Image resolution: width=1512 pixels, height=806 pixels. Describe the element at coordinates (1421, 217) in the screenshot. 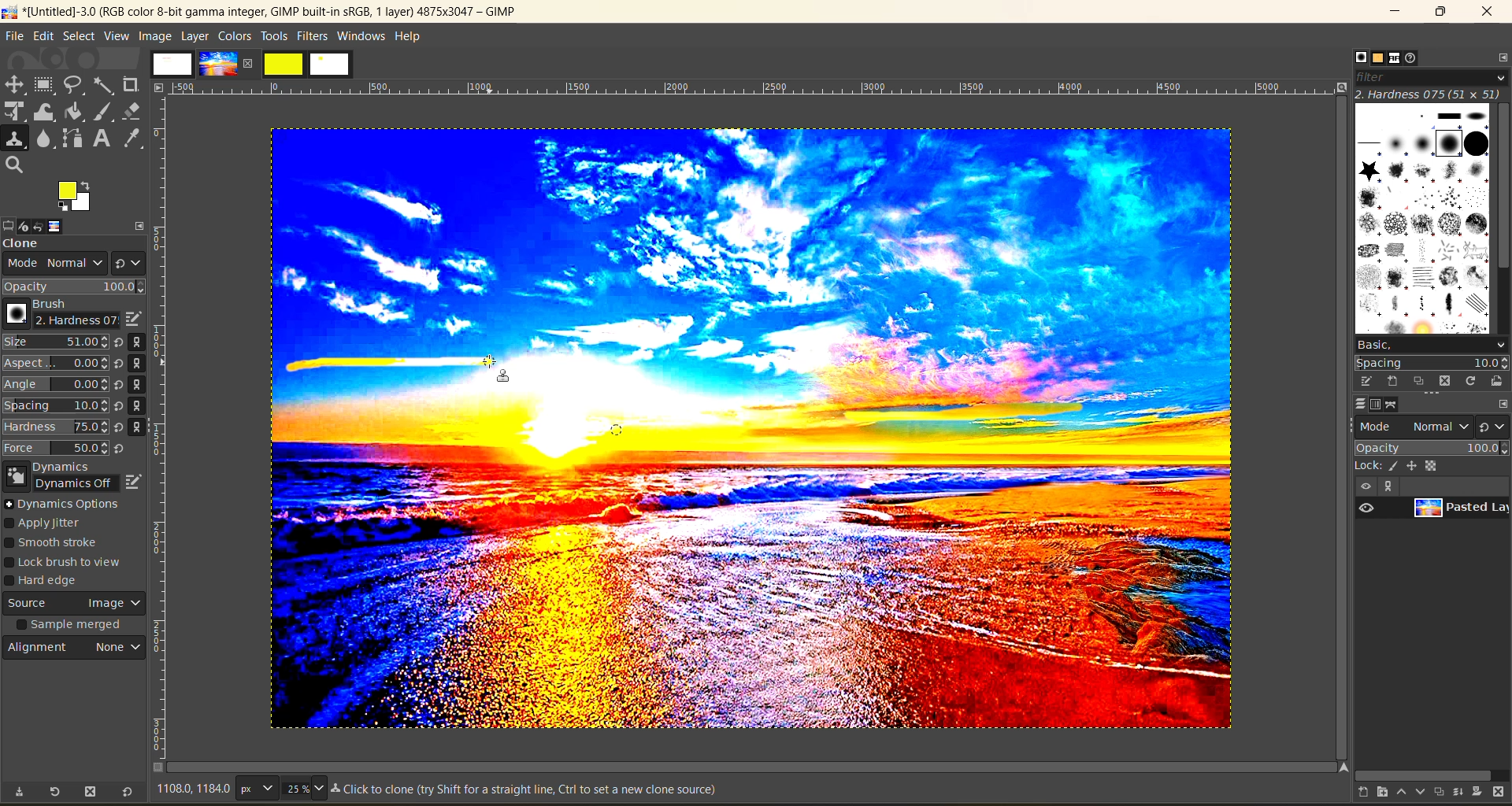

I see `brushes` at that location.